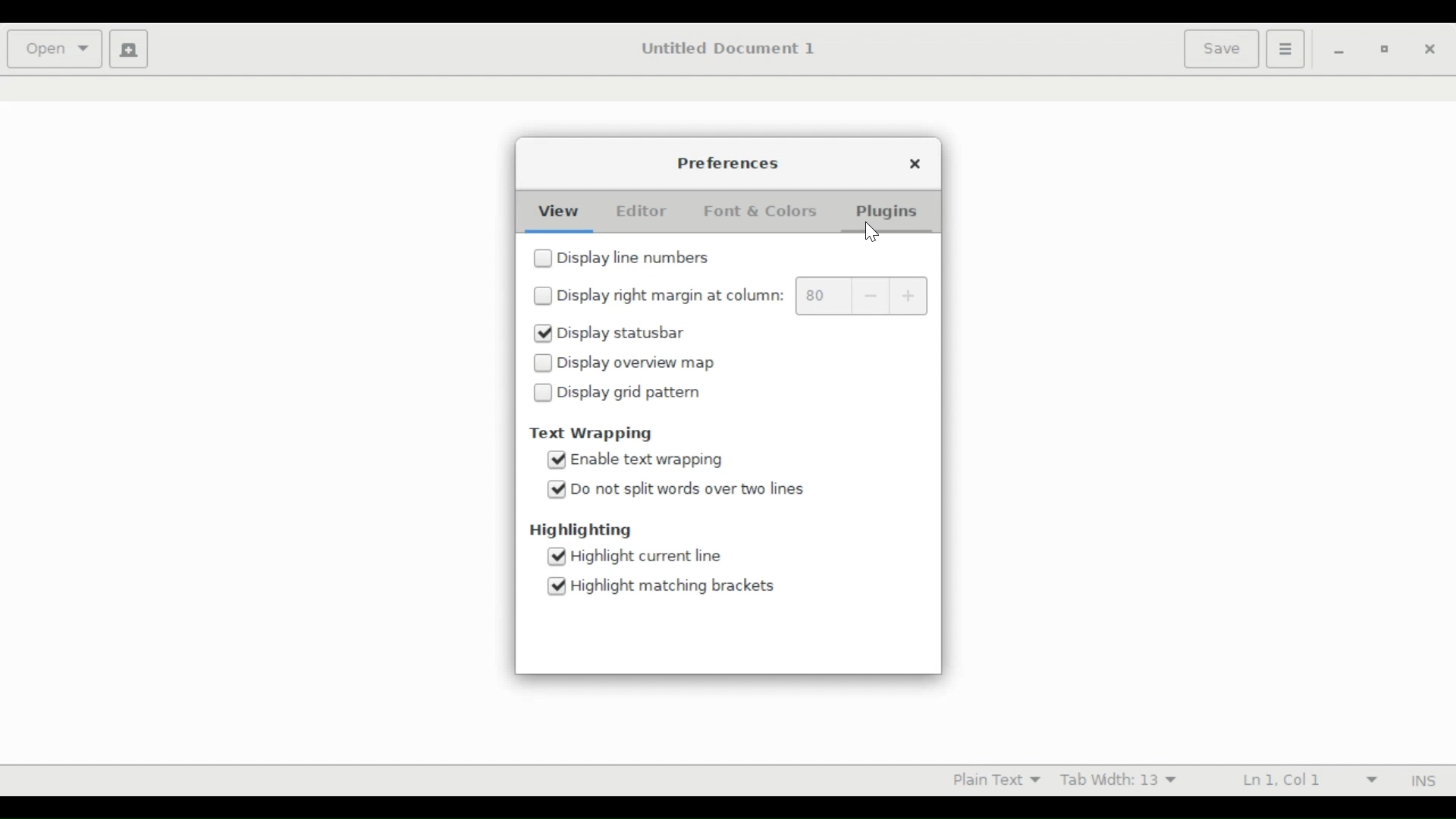 The height and width of the screenshot is (819, 1456). Describe the element at coordinates (636, 363) in the screenshot. I see `(un)check Display overview map` at that location.